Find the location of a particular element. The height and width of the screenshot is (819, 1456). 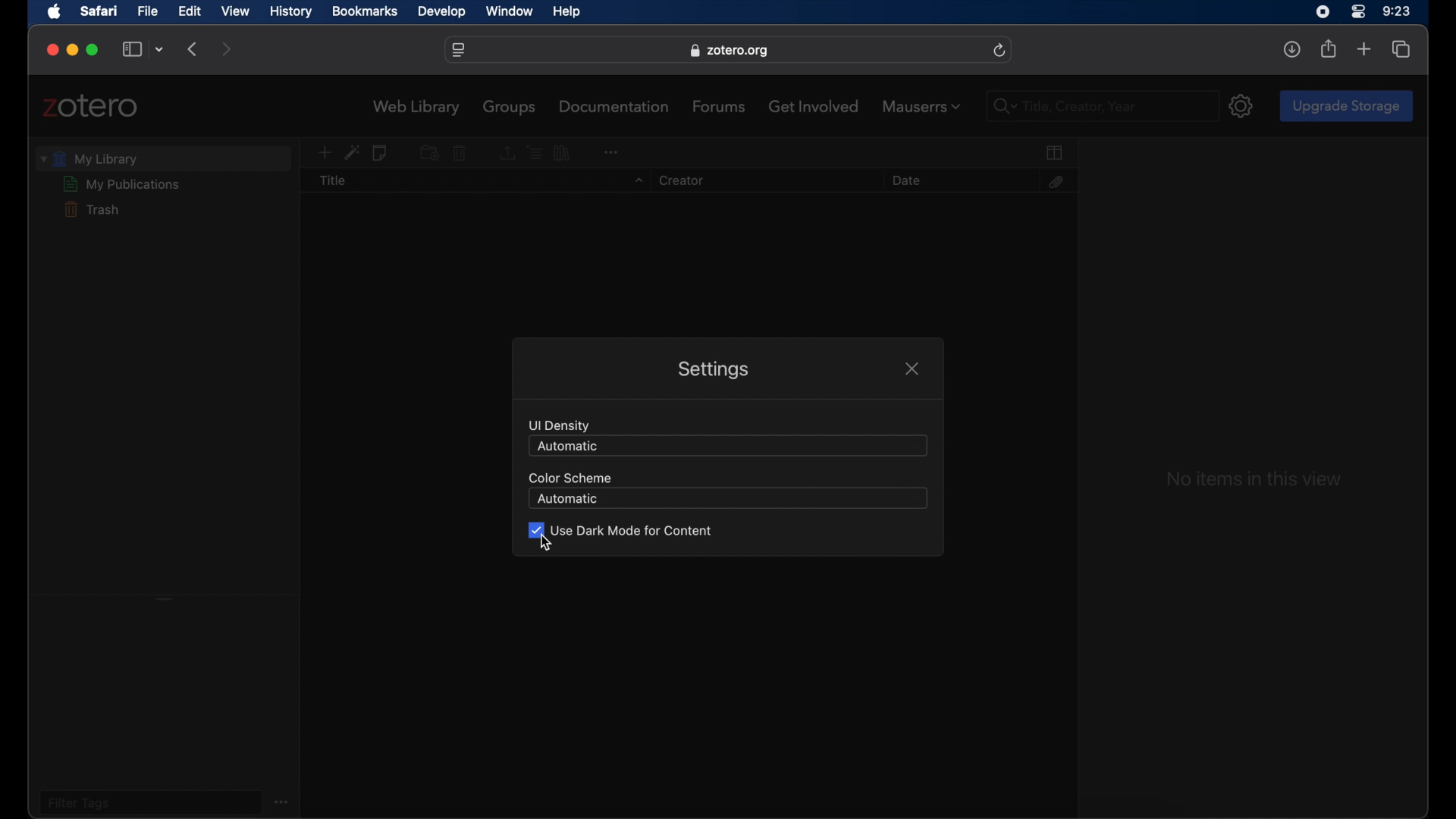

my publications is located at coordinates (122, 184).